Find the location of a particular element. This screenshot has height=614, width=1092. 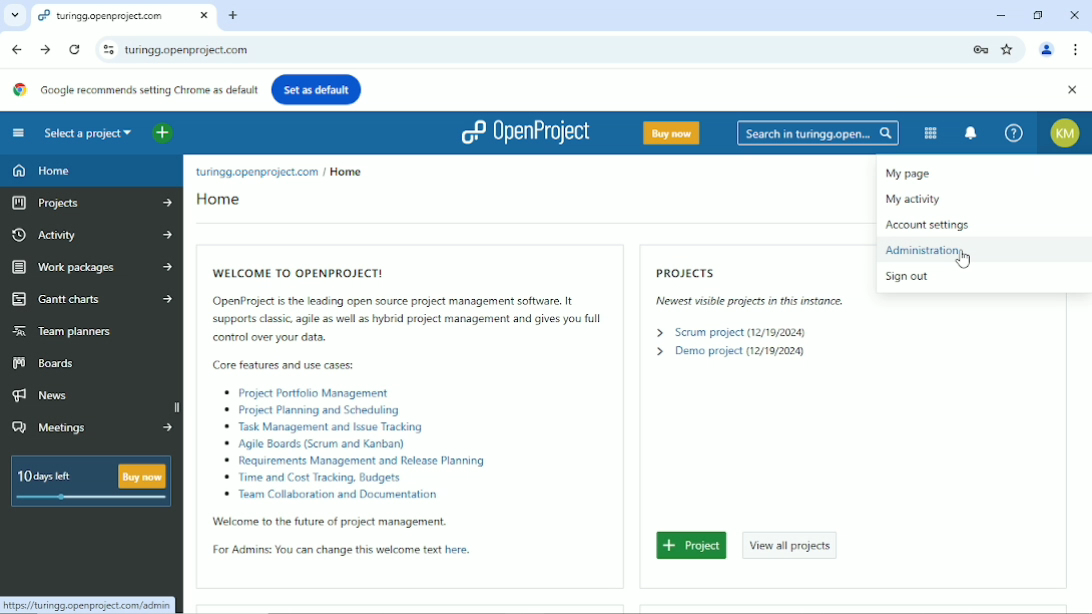

To notification center is located at coordinates (972, 132).